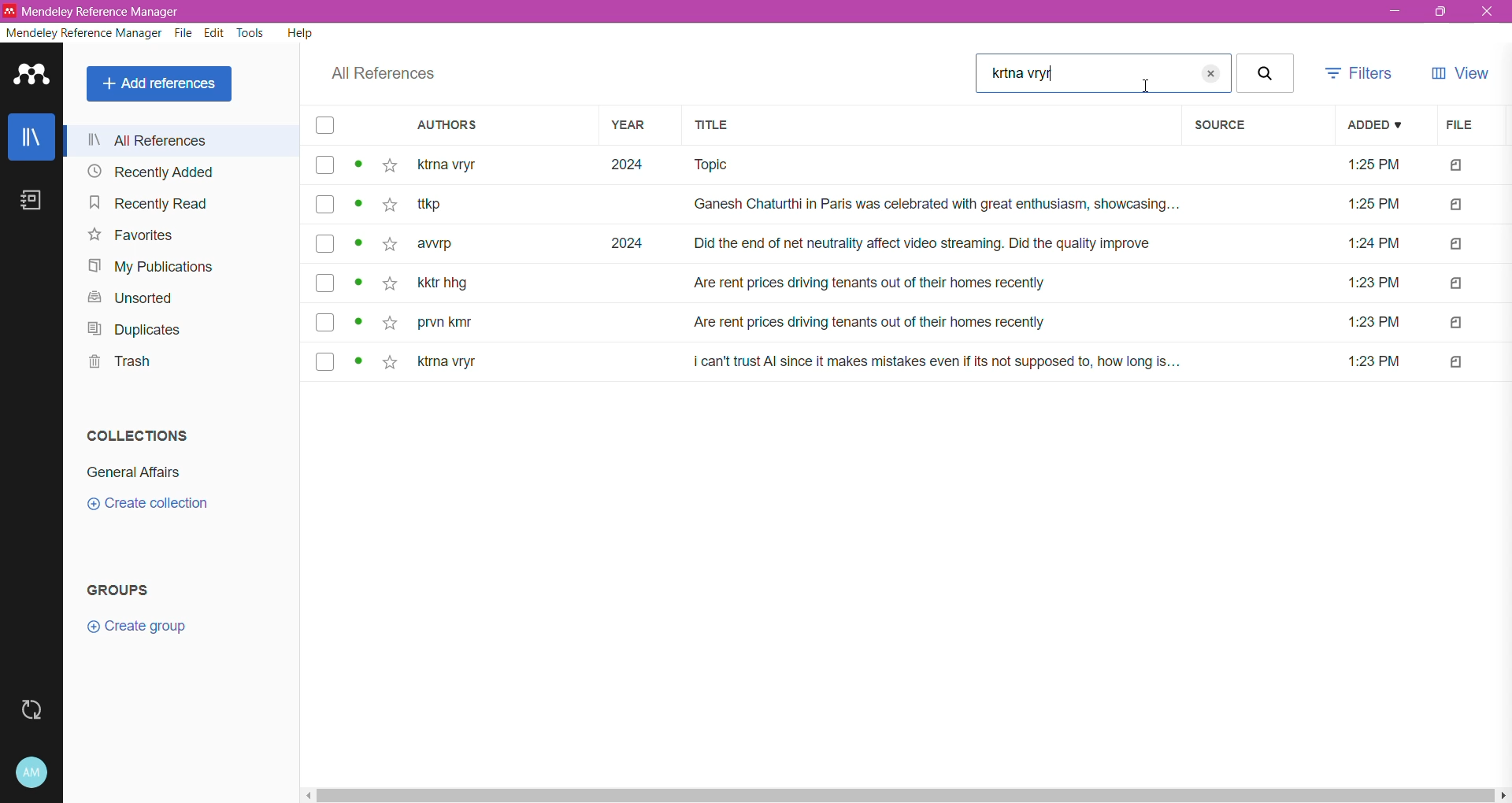  What do you see at coordinates (388, 287) in the screenshot?
I see `click here to add to favourites` at bounding box center [388, 287].